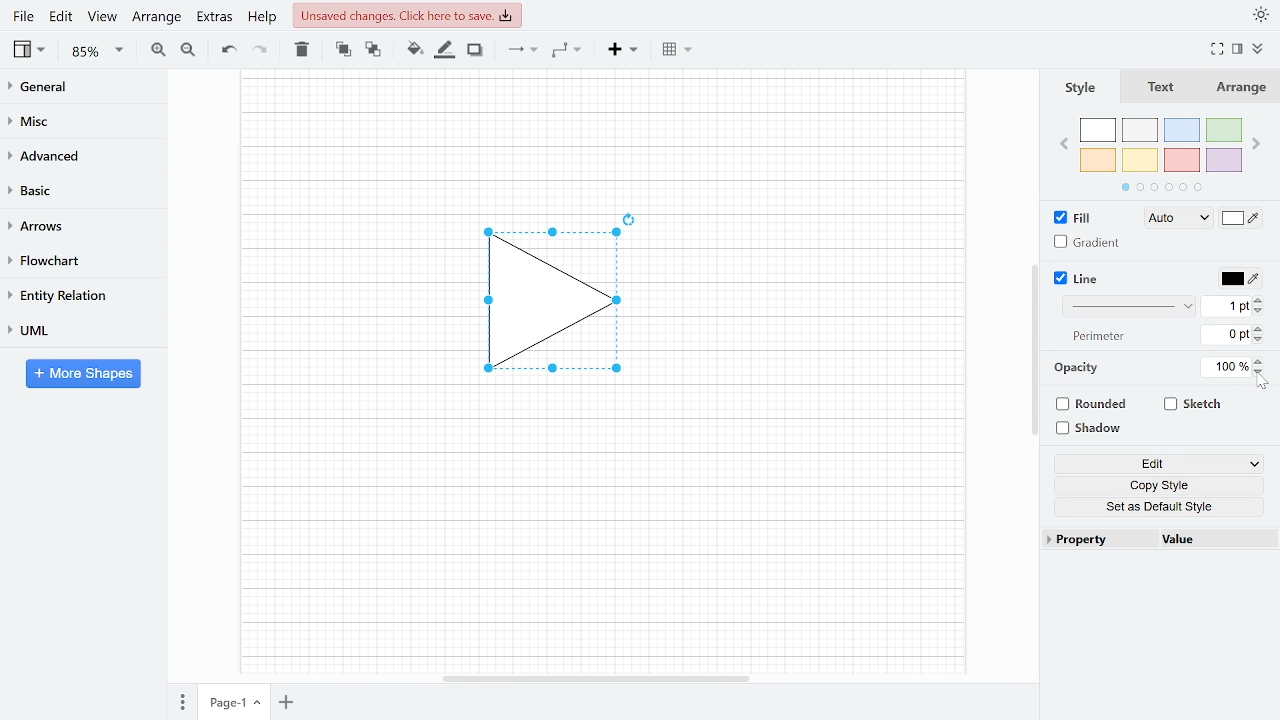  I want to click on Arrows, so click(74, 225).